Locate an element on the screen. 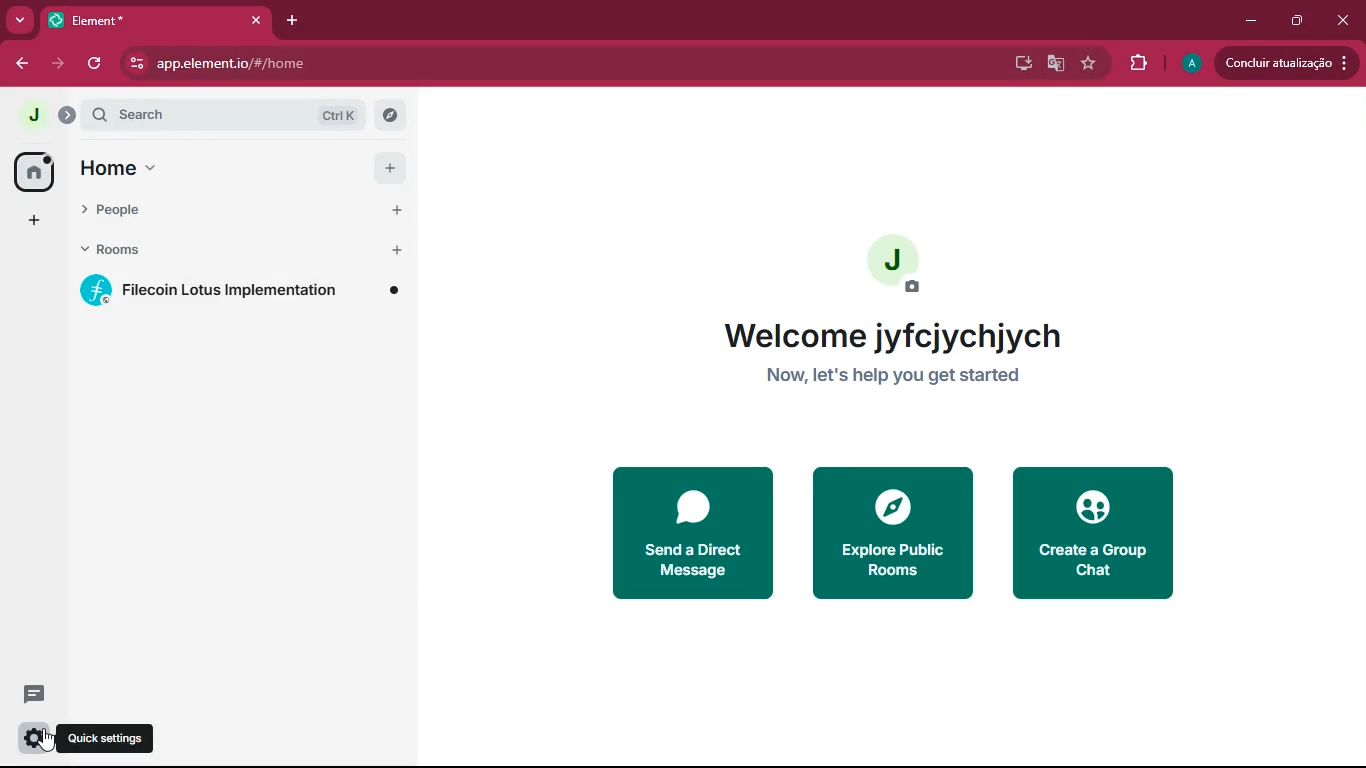 The height and width of the screenshot is (768, 1366). minimize is located at coordinates (1247, 22).